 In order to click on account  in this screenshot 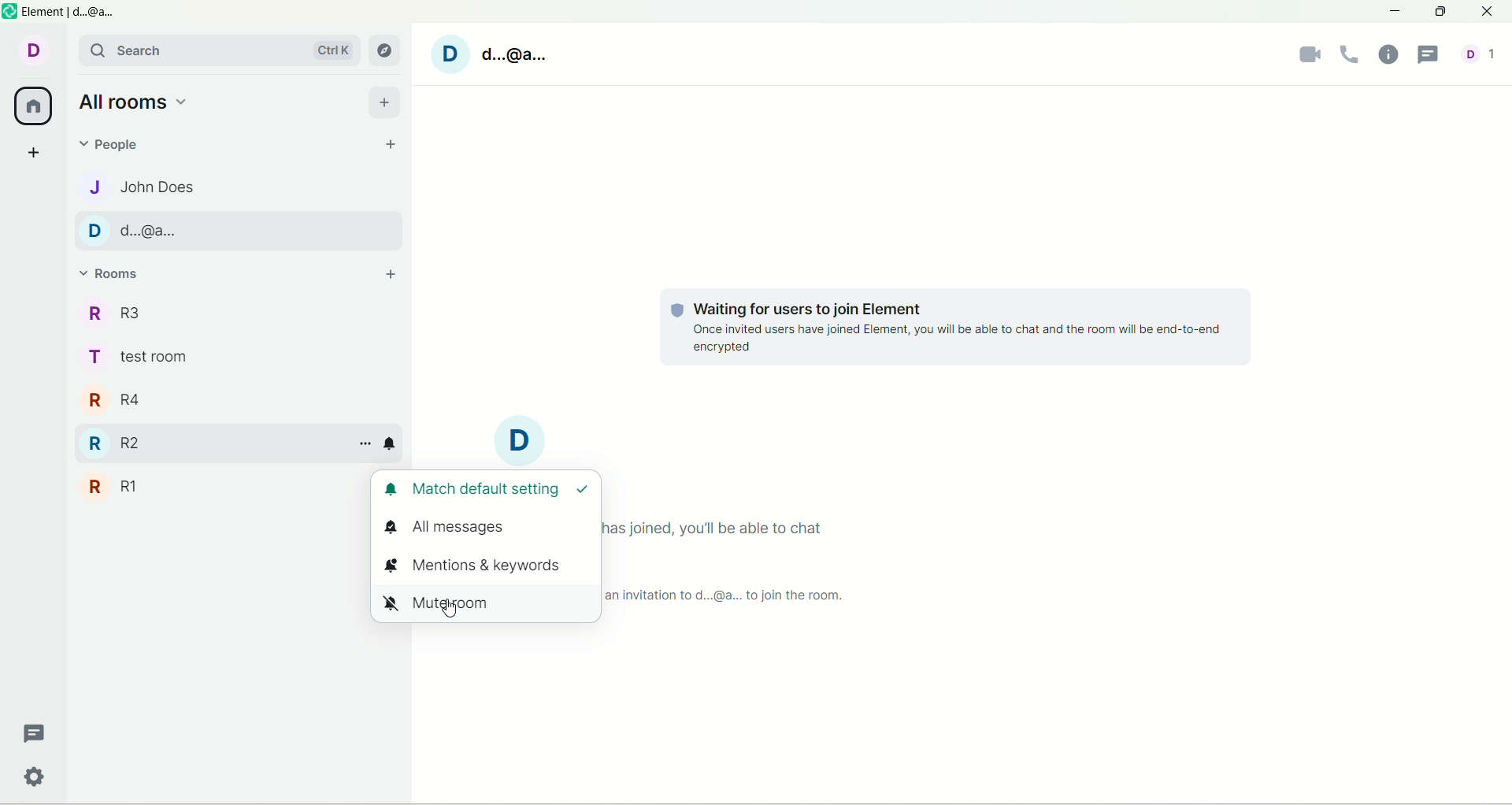, I will do `click(135, 231)`.